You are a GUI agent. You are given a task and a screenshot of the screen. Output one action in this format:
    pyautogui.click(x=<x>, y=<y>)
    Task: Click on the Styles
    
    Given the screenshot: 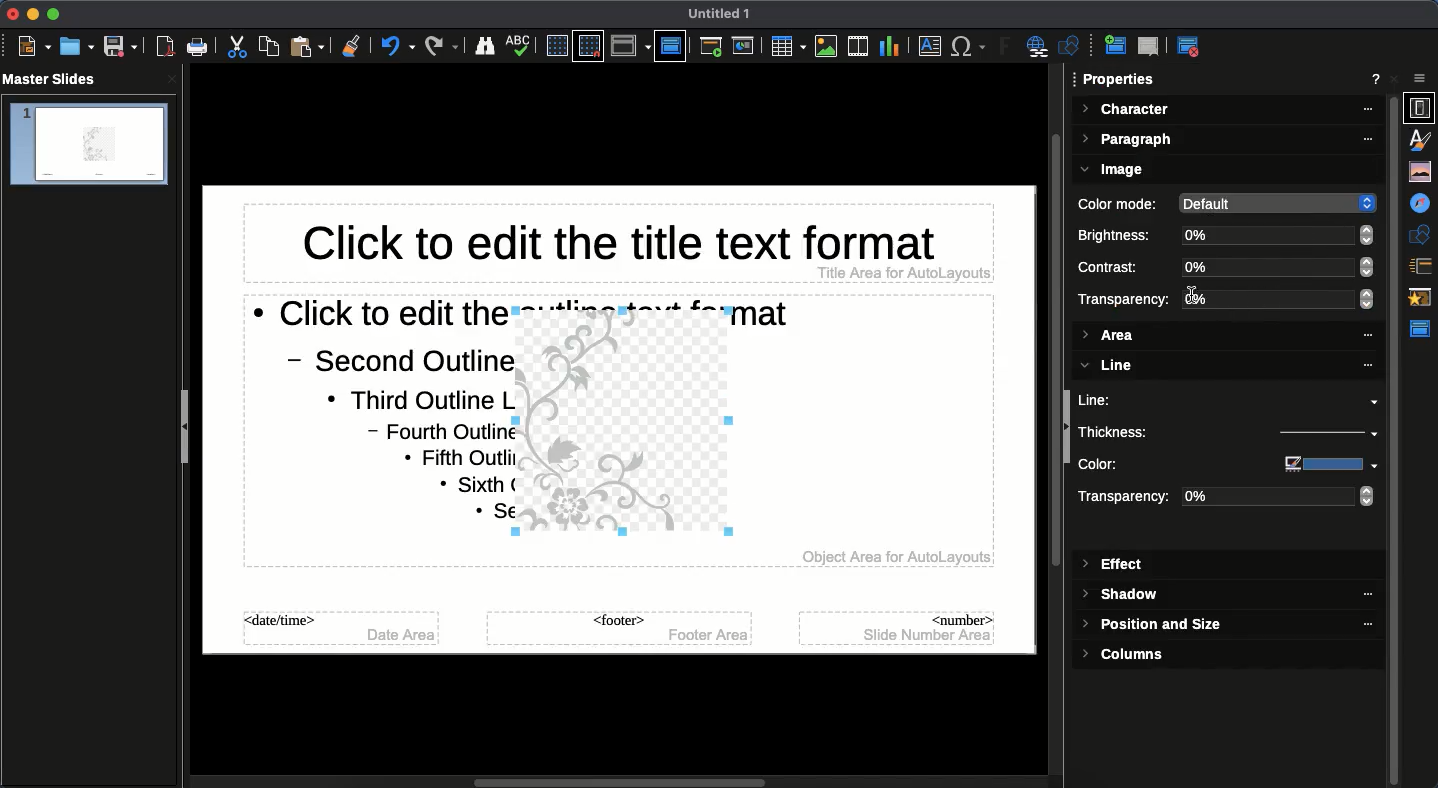 What is the action you would take?
    pyautogui.click(x=1424, y=139)
    